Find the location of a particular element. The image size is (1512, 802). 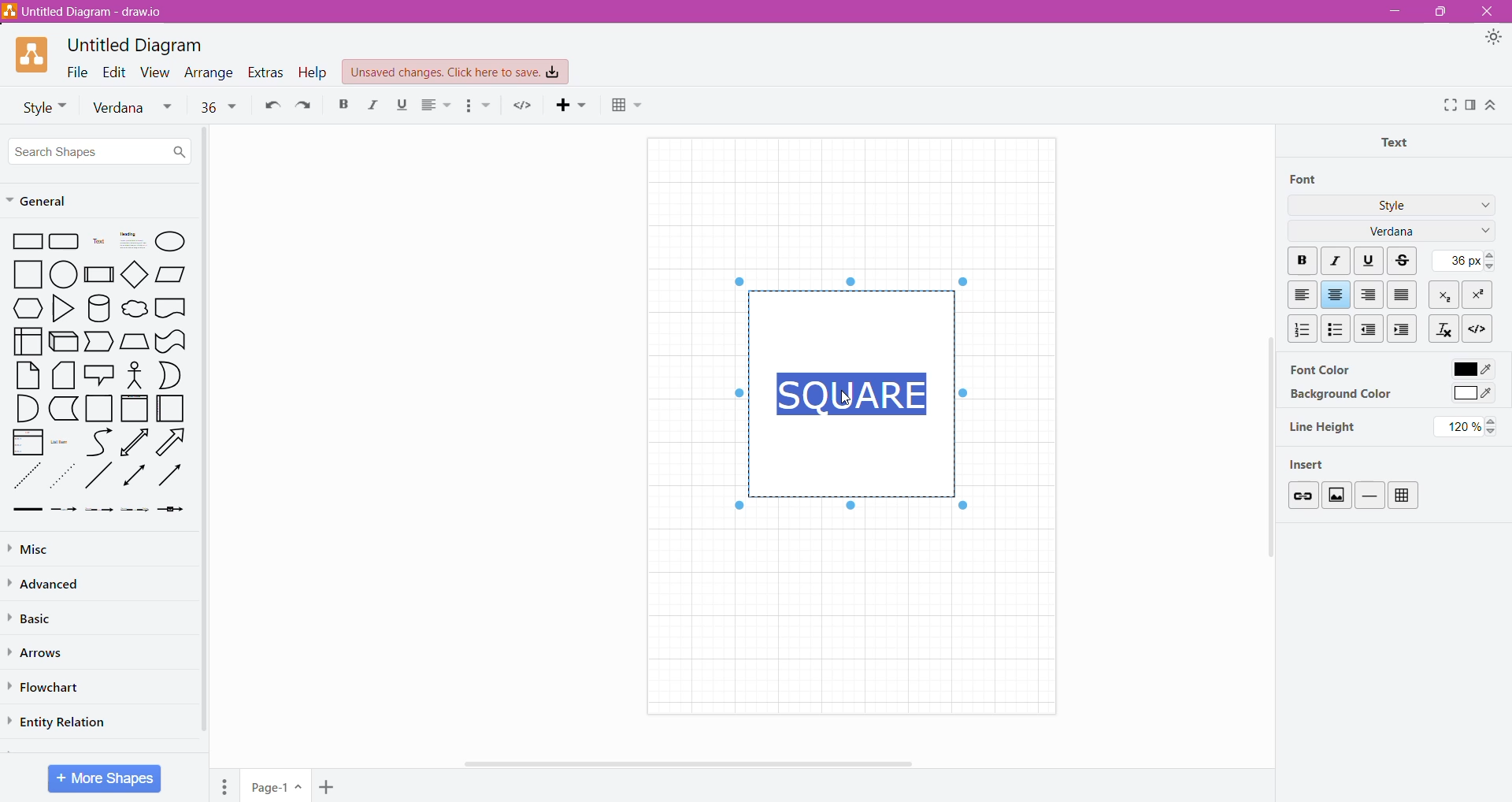

Help is located at coordinates (315, 72).